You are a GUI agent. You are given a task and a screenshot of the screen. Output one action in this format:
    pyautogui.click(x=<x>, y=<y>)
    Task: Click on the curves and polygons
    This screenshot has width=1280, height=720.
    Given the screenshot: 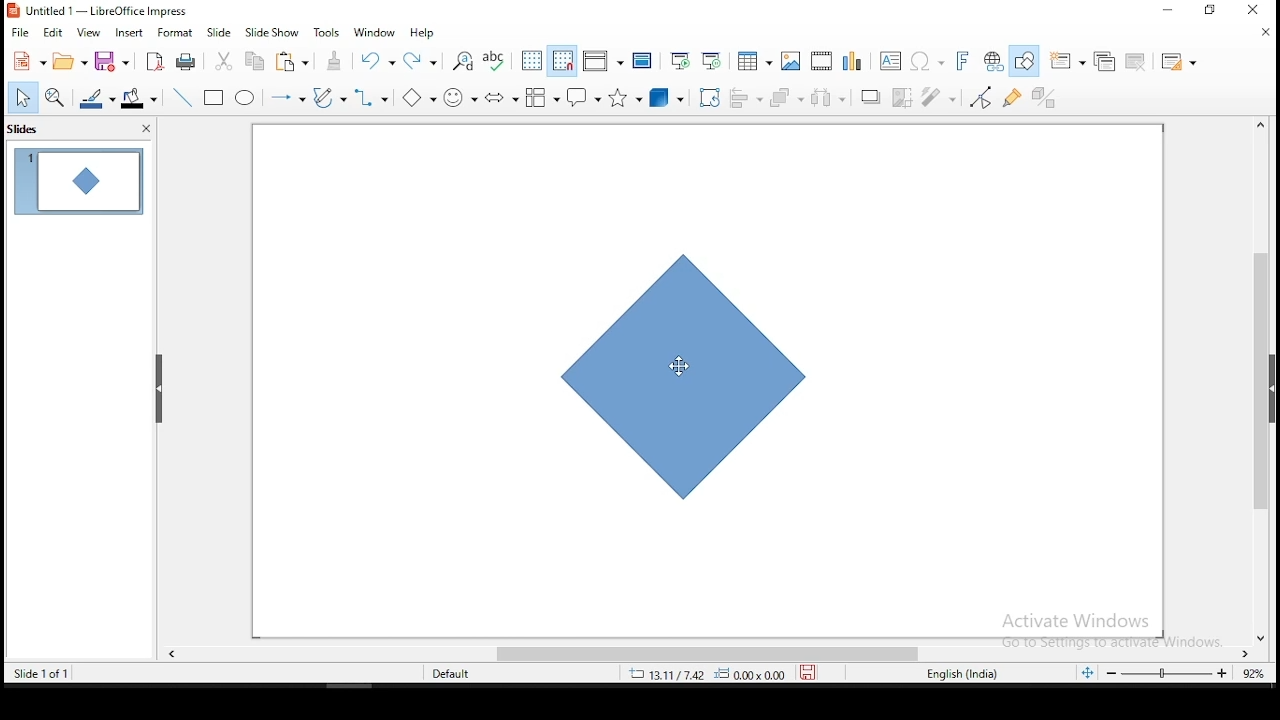 What is the action you would take?
    pyautogui.click(x=329, y=98)
    